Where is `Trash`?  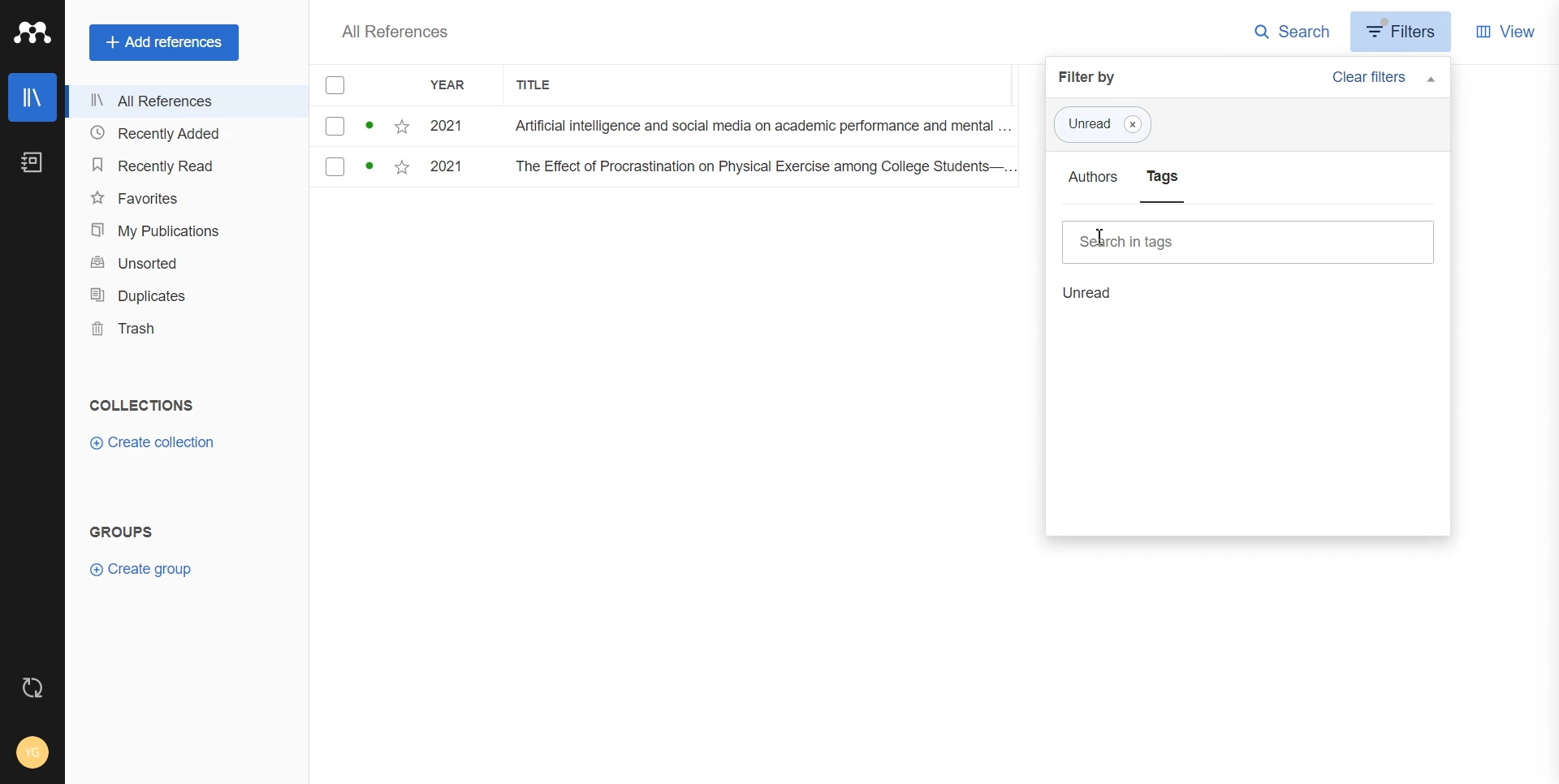 Trash is located at coordinates (186, 329).